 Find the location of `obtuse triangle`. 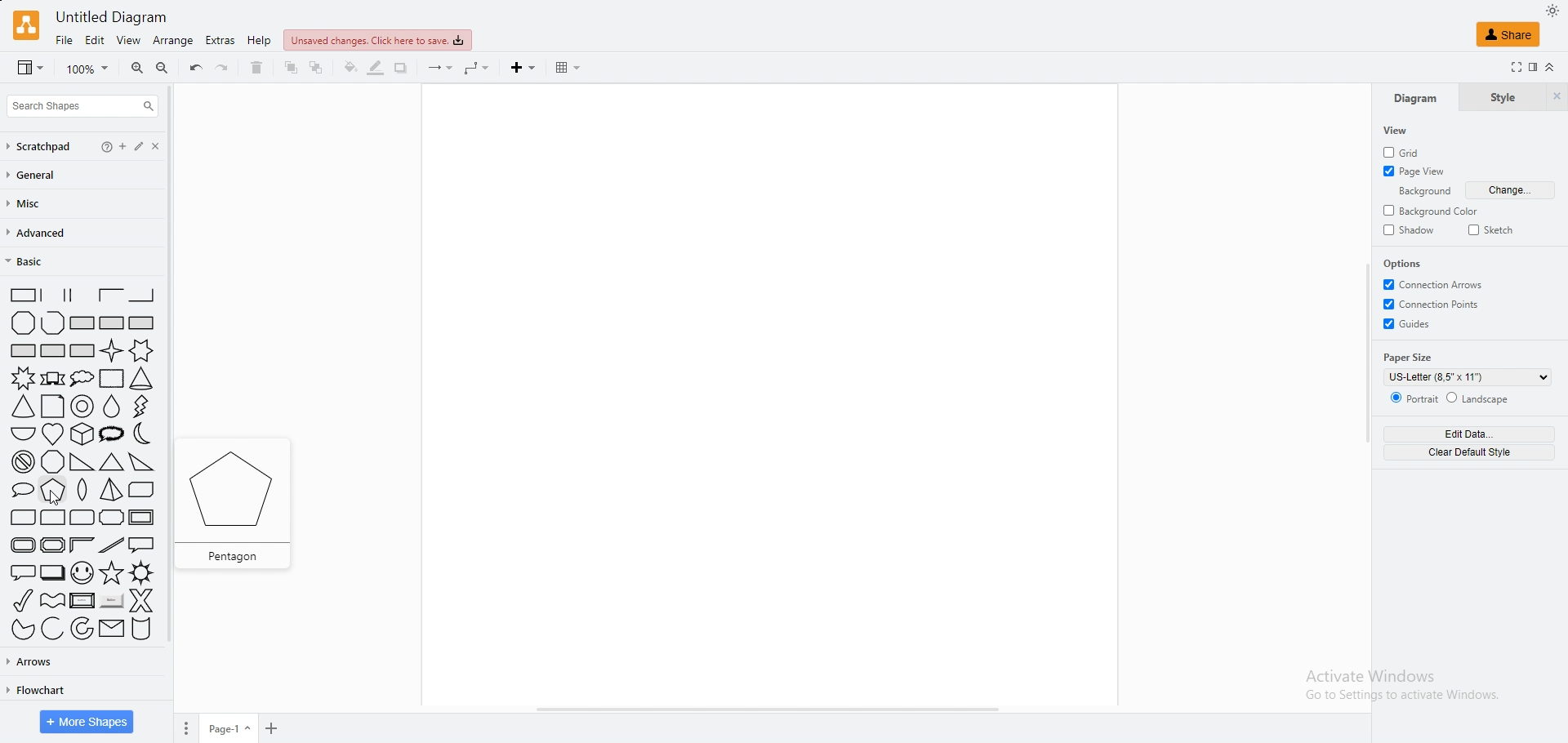

obtuse triangle is located at coordinates (142, 461).